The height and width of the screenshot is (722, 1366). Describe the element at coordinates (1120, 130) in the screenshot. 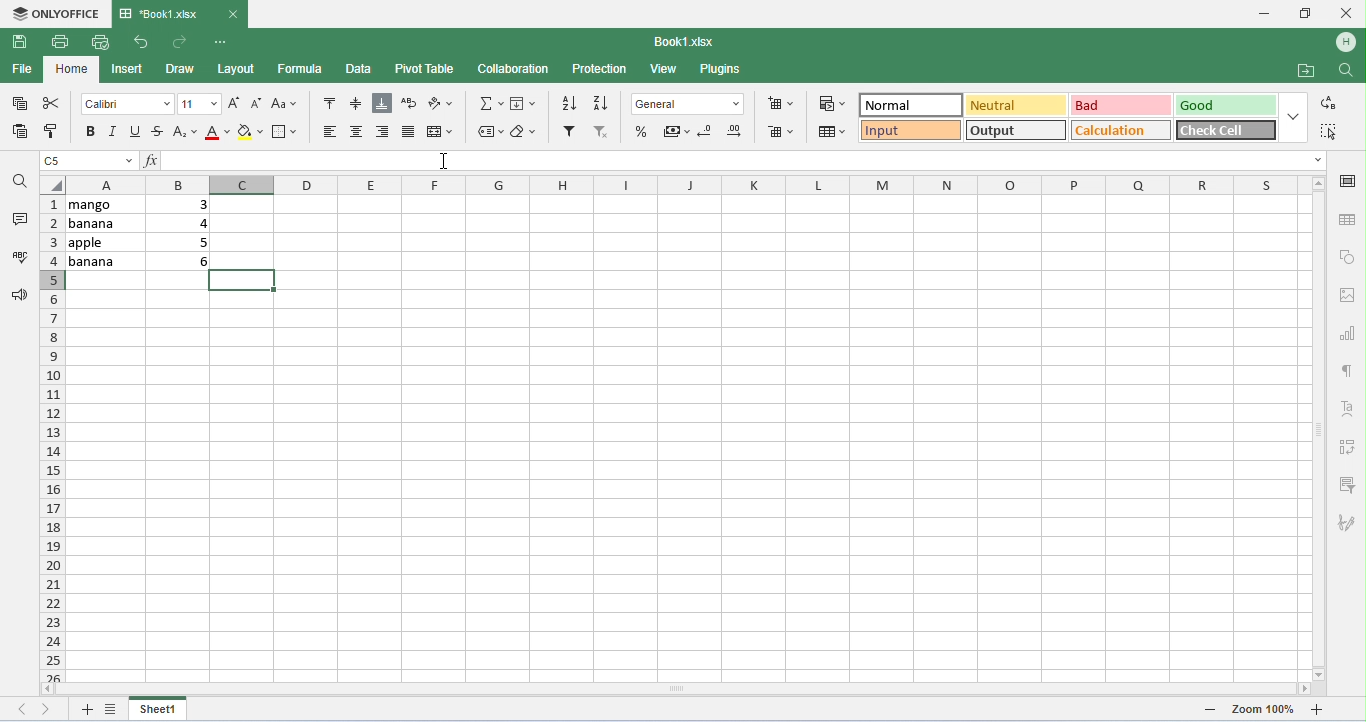

I see `calculation` at that location.